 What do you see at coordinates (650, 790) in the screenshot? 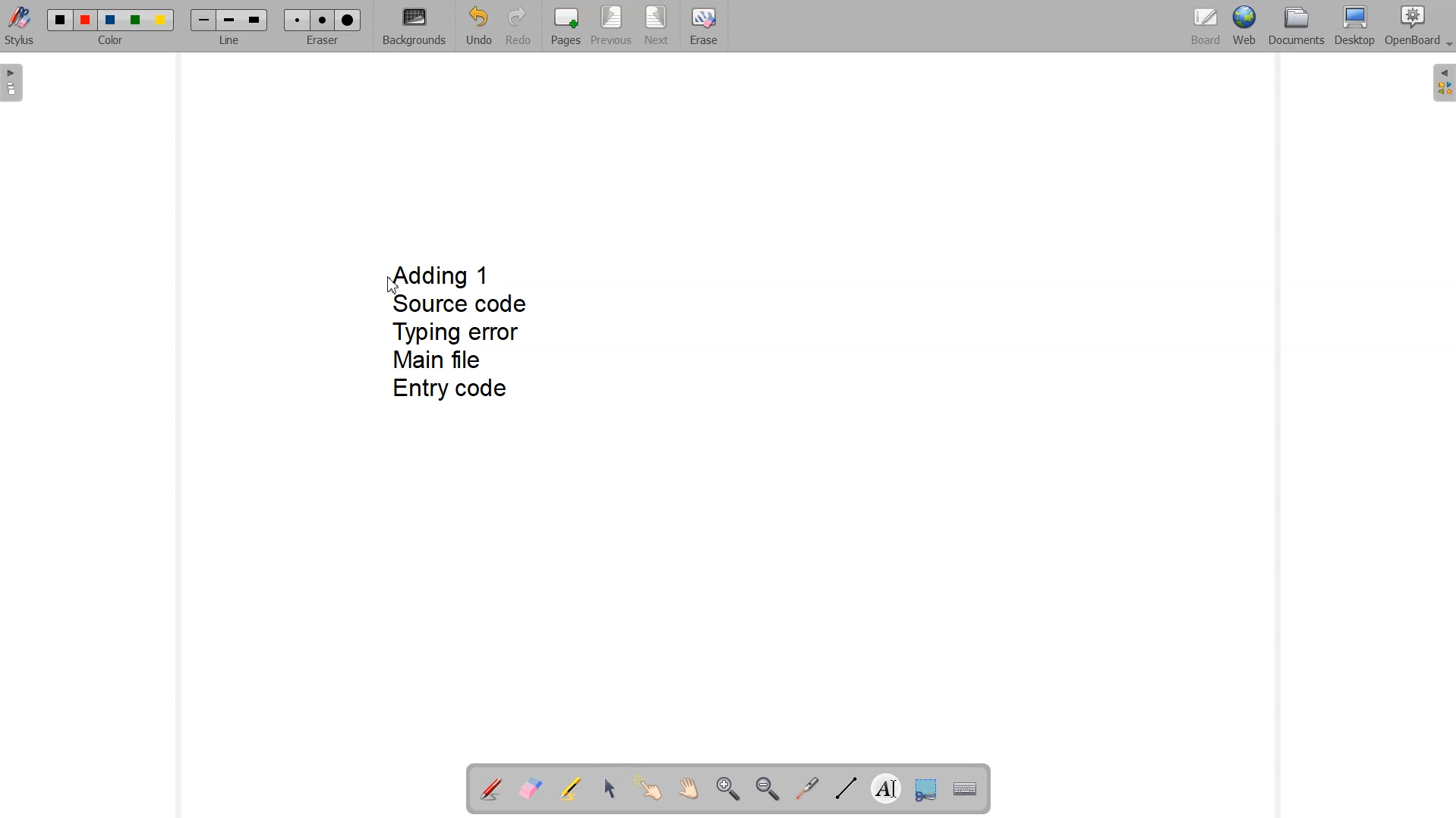
I see `Interact with items` at bounding box center [650, 790].